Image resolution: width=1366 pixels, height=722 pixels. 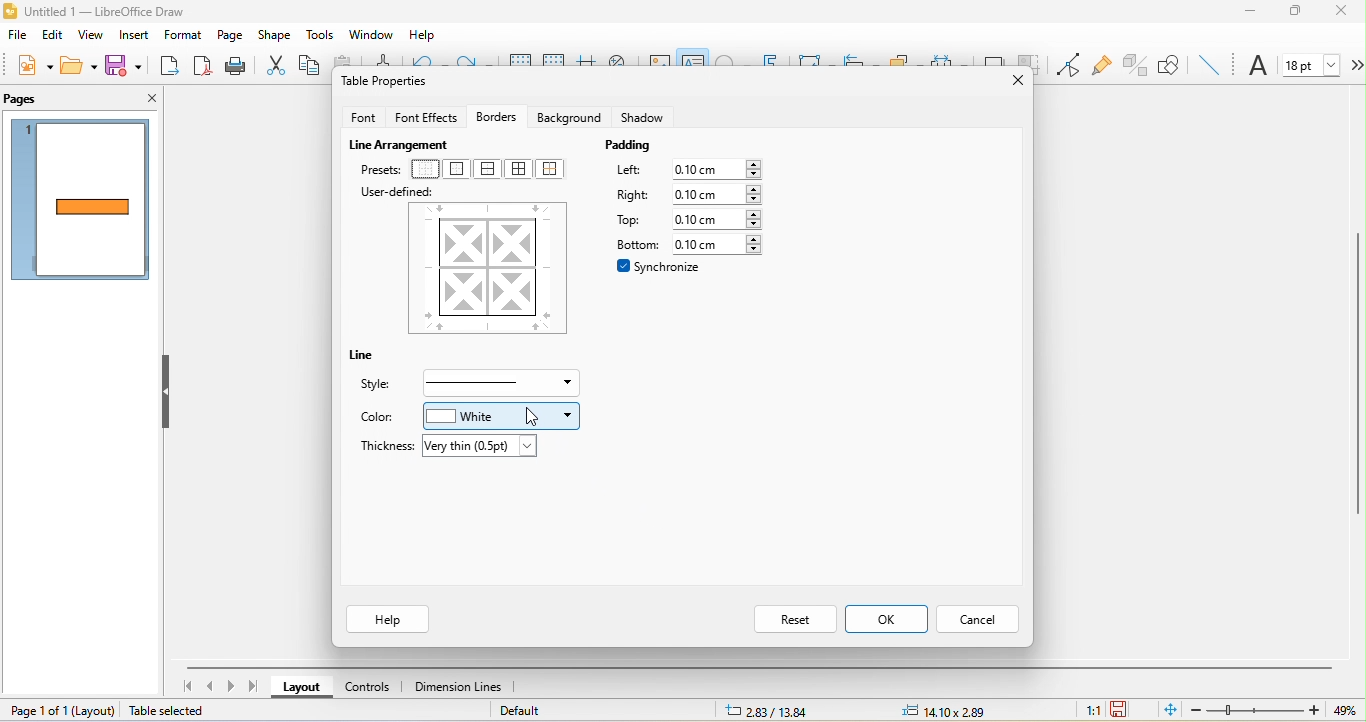 I want to click on left, so click(x=627, y=172).